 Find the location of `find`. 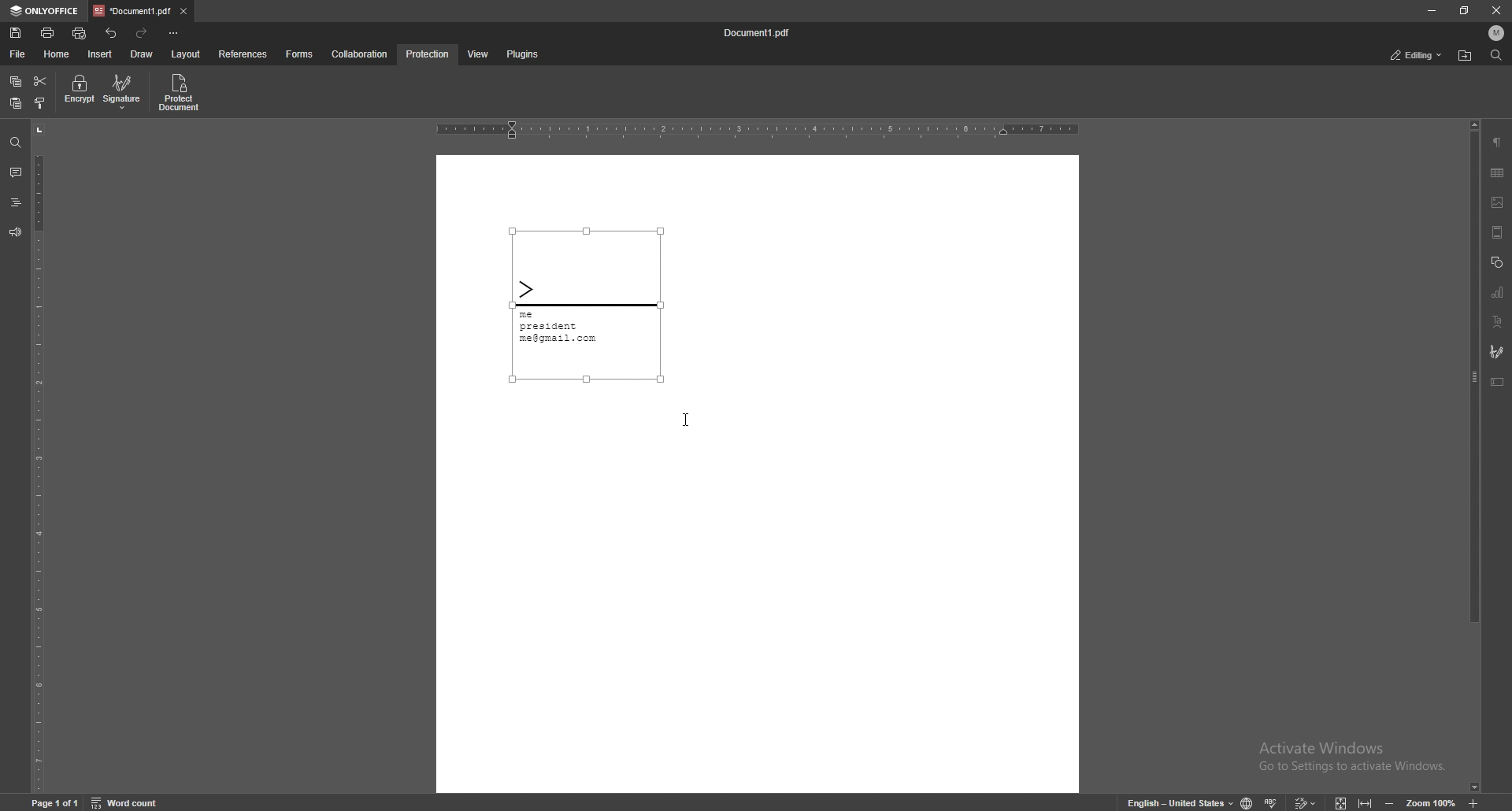

find is located at coordinates (16, 143).